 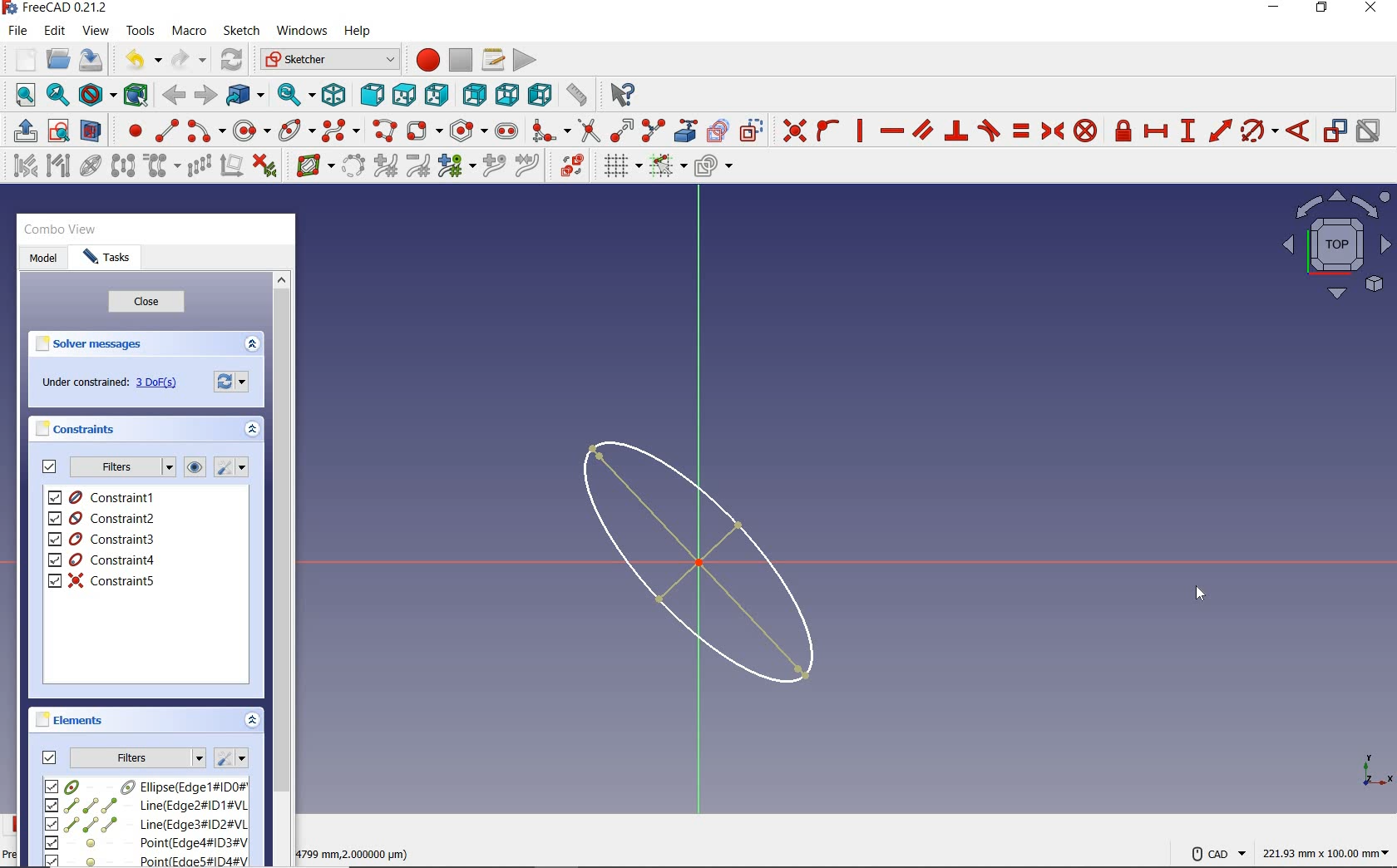 I want to click on trim edge, so click(x=588, y=130).